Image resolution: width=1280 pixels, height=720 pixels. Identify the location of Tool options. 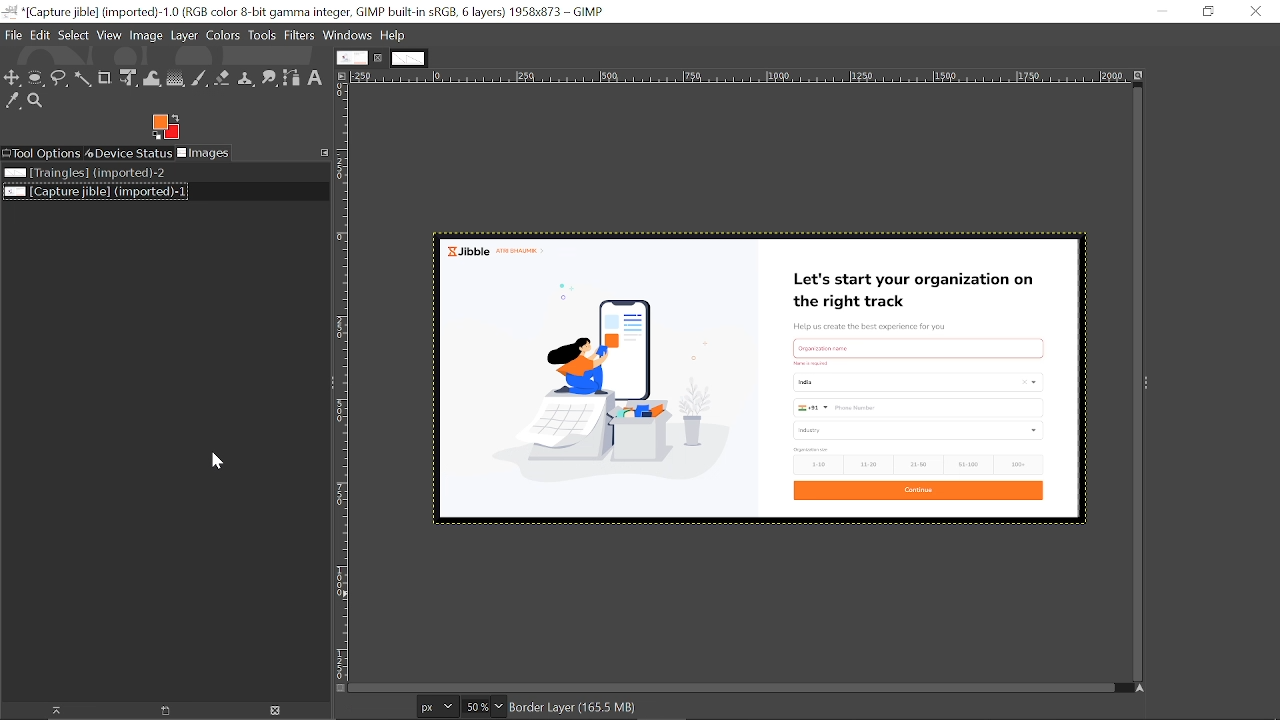
(42, 153).